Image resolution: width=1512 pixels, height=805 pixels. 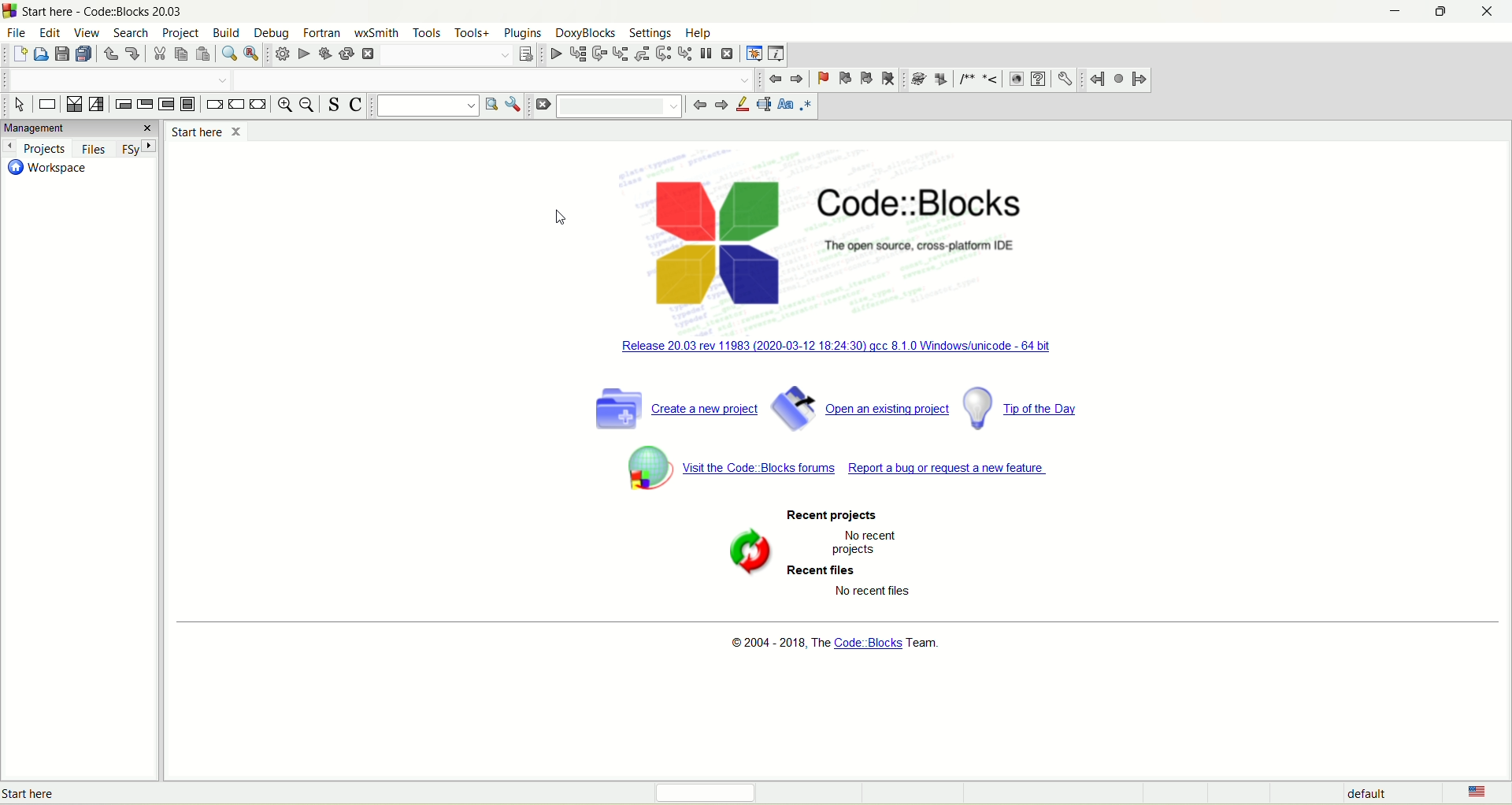 I want to click on select, so click(x=20, y=105).